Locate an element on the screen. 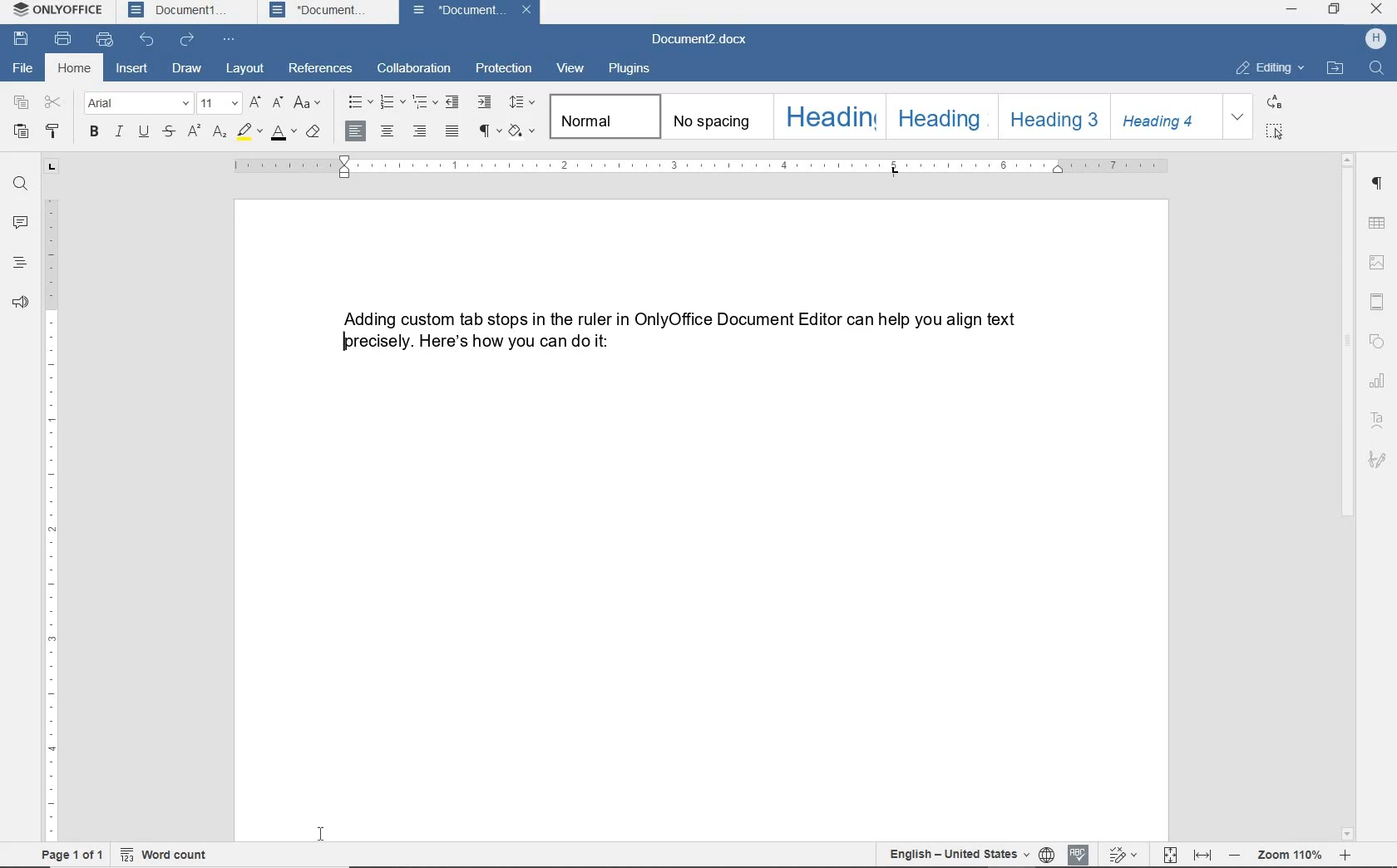 The width and height of the screenshot is (1397, 868). collaboration is located at coordinates (412, 69).